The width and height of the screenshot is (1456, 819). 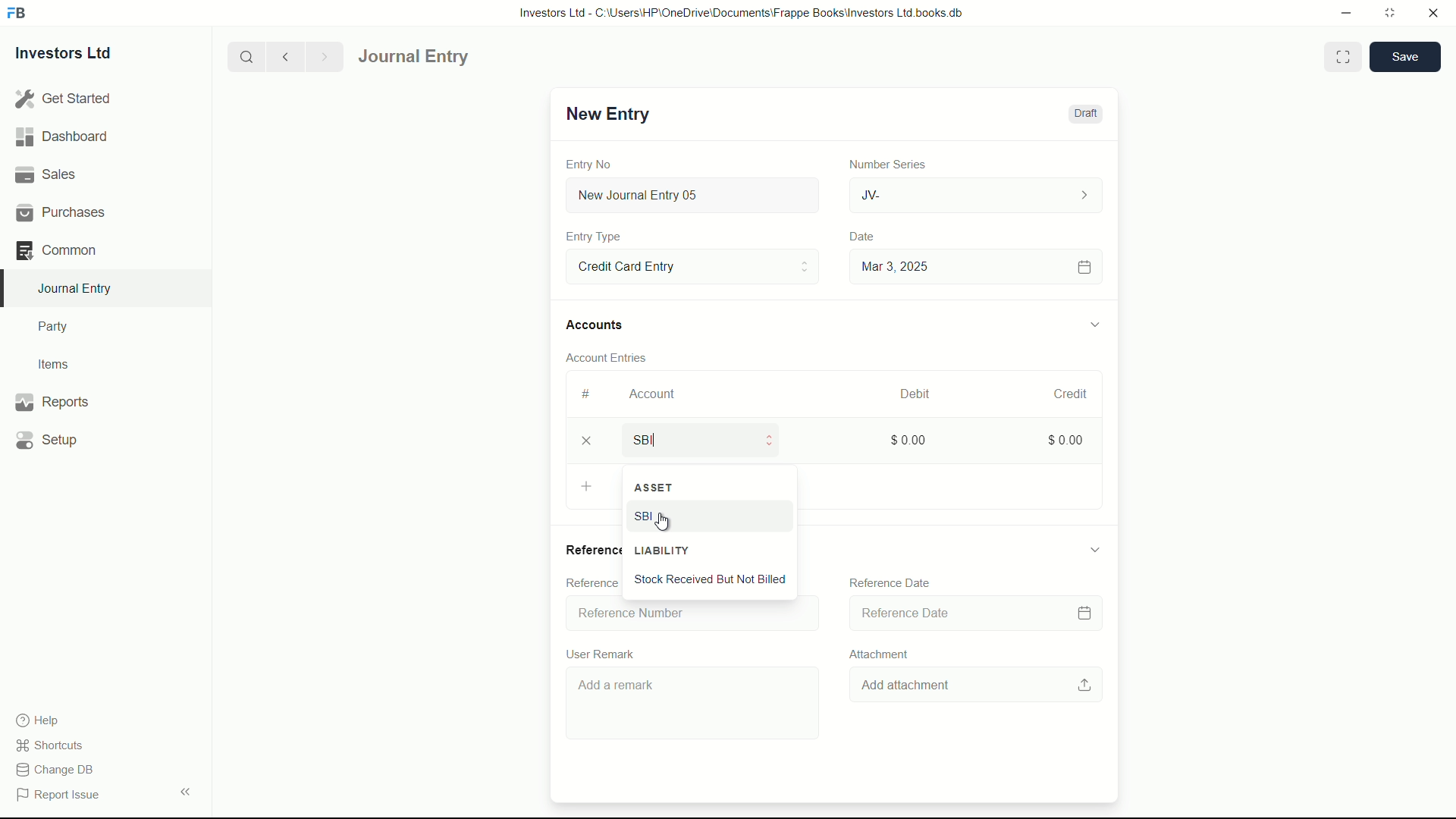 I want to click on Account Entries, so click(x=613, y=355).